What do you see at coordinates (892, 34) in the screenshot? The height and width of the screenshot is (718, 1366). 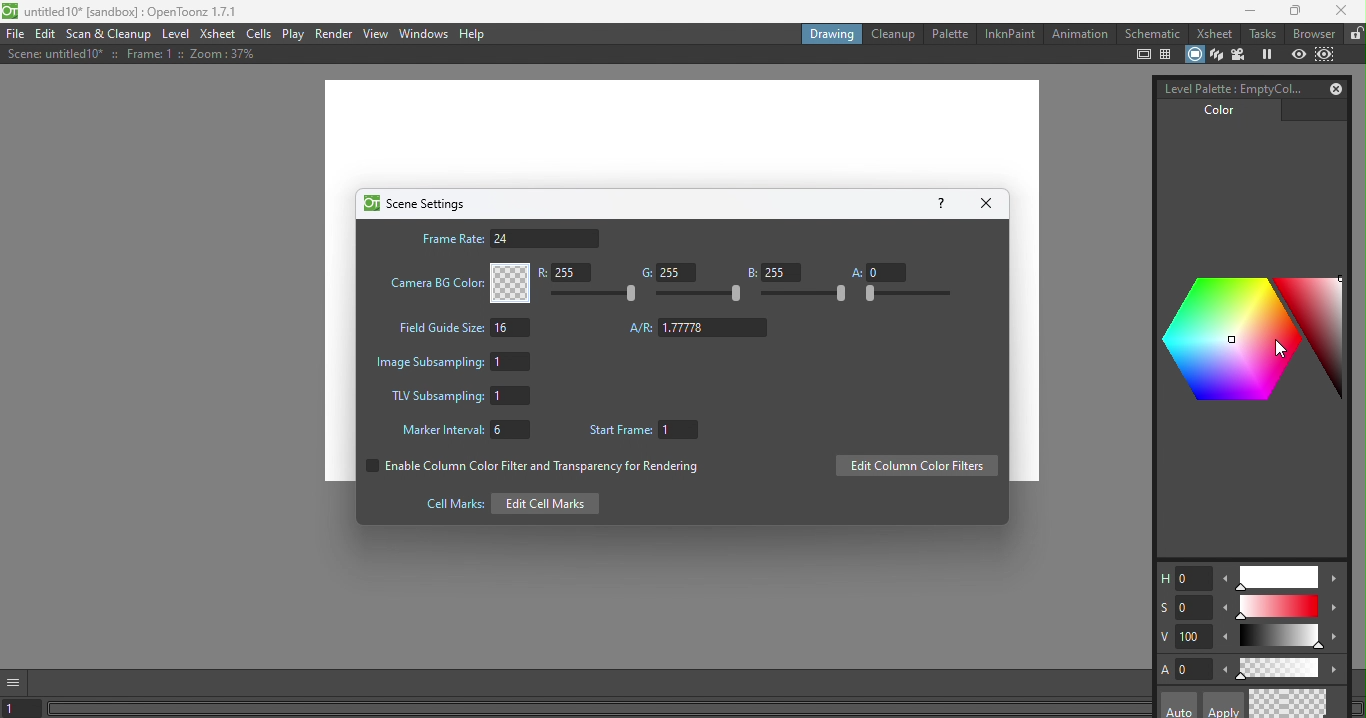 I see `Cleanup` at bounding box center [892, 34].